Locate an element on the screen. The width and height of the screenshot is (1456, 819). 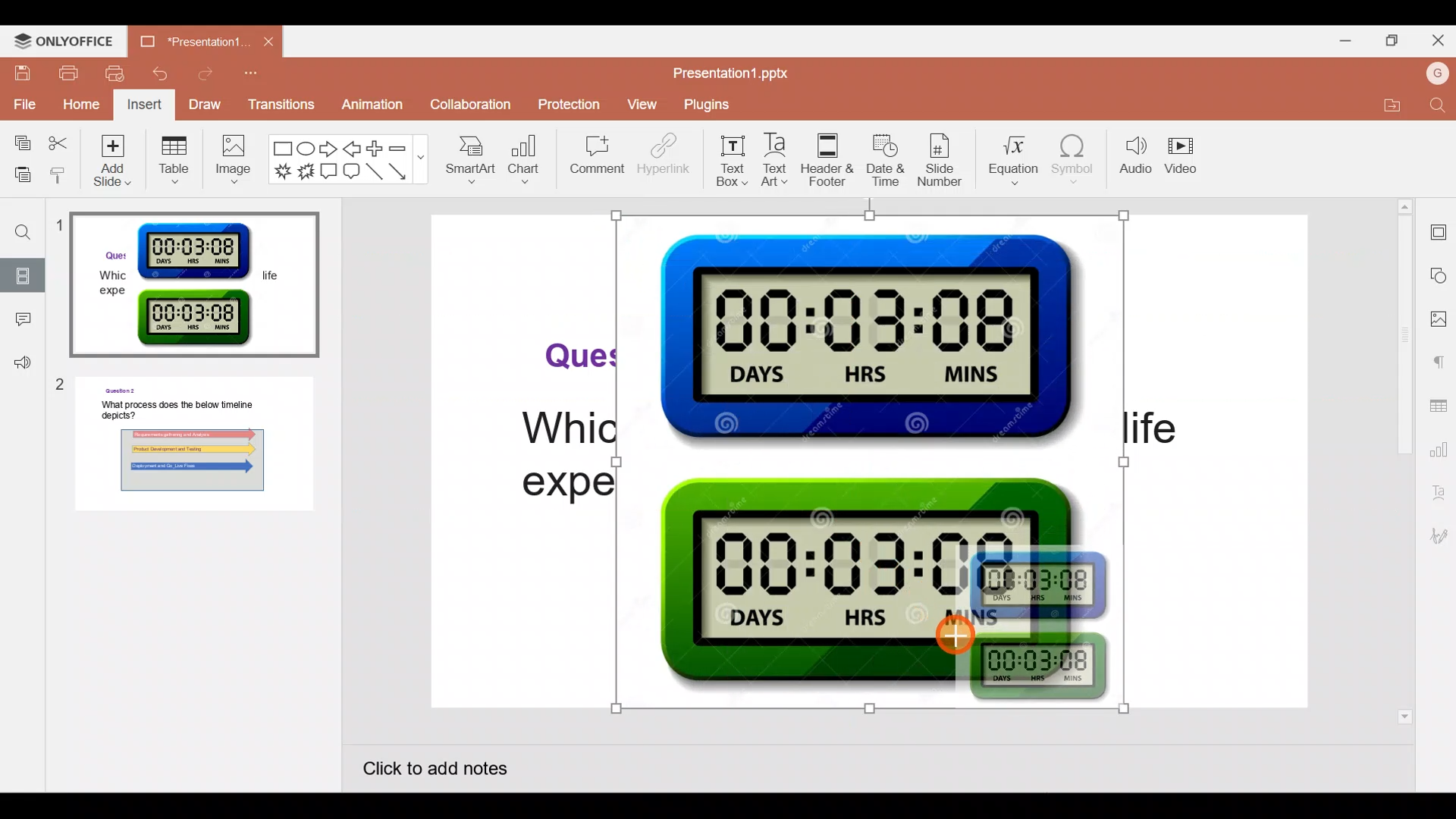
Copy style is located at coordinates (59, 171).